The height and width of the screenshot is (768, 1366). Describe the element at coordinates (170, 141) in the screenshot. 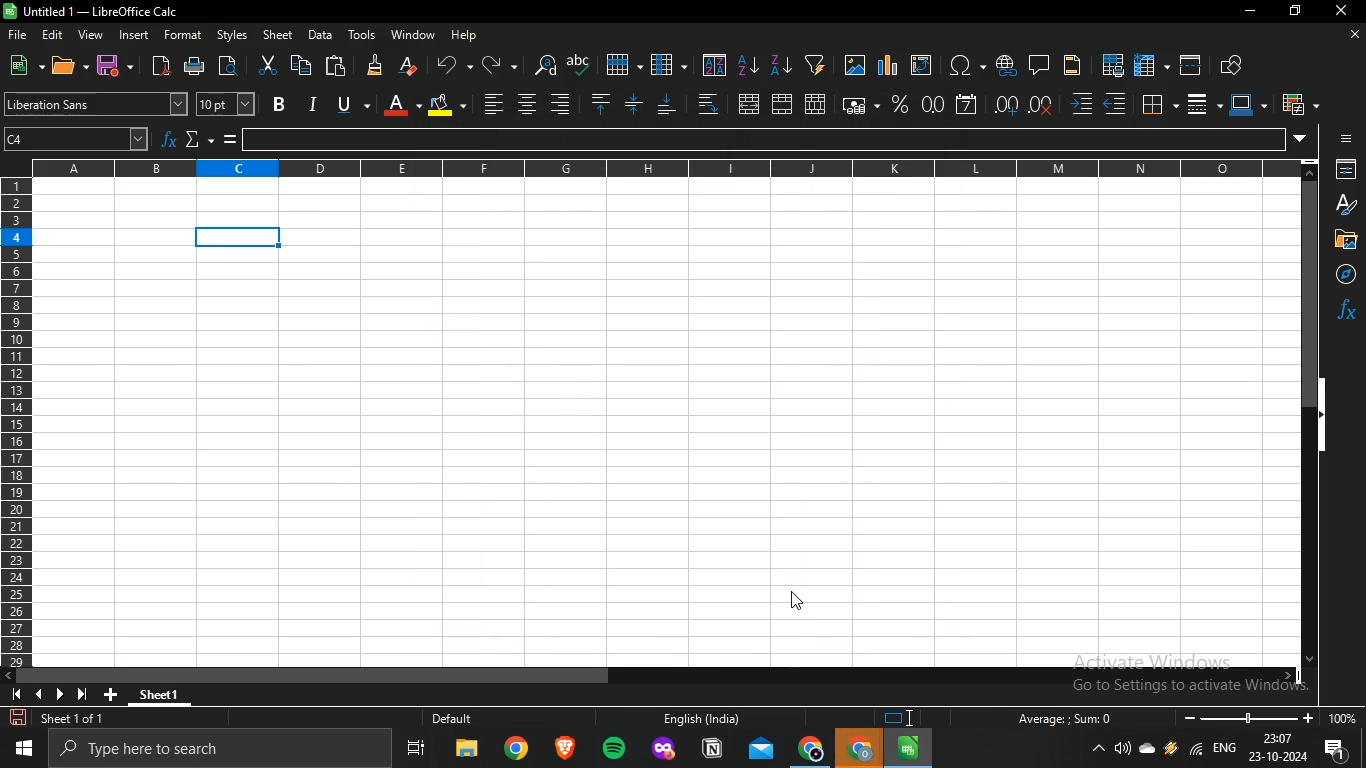

I see `function ` at that location.